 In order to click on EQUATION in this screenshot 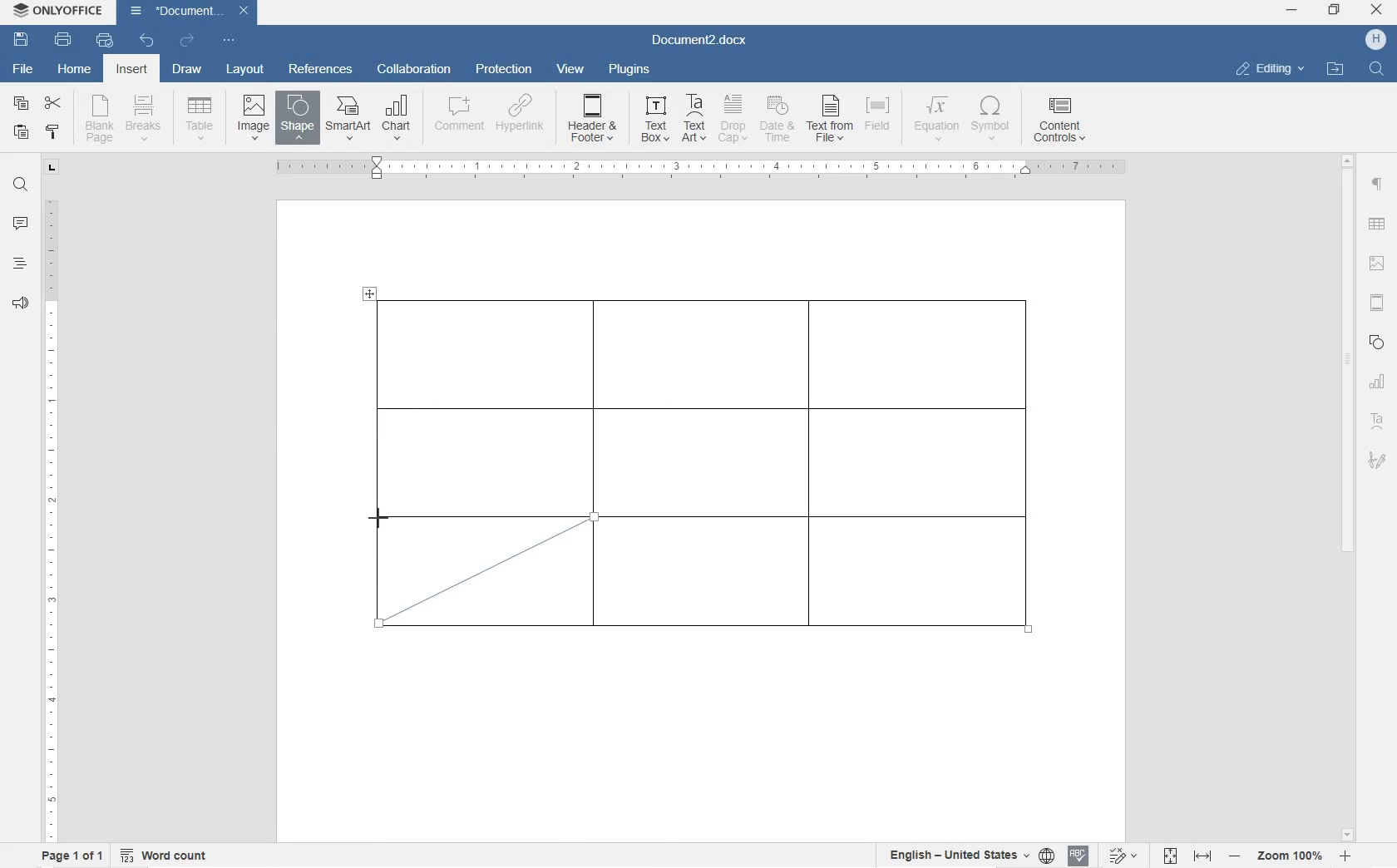, I will do `click(937, 119)`.